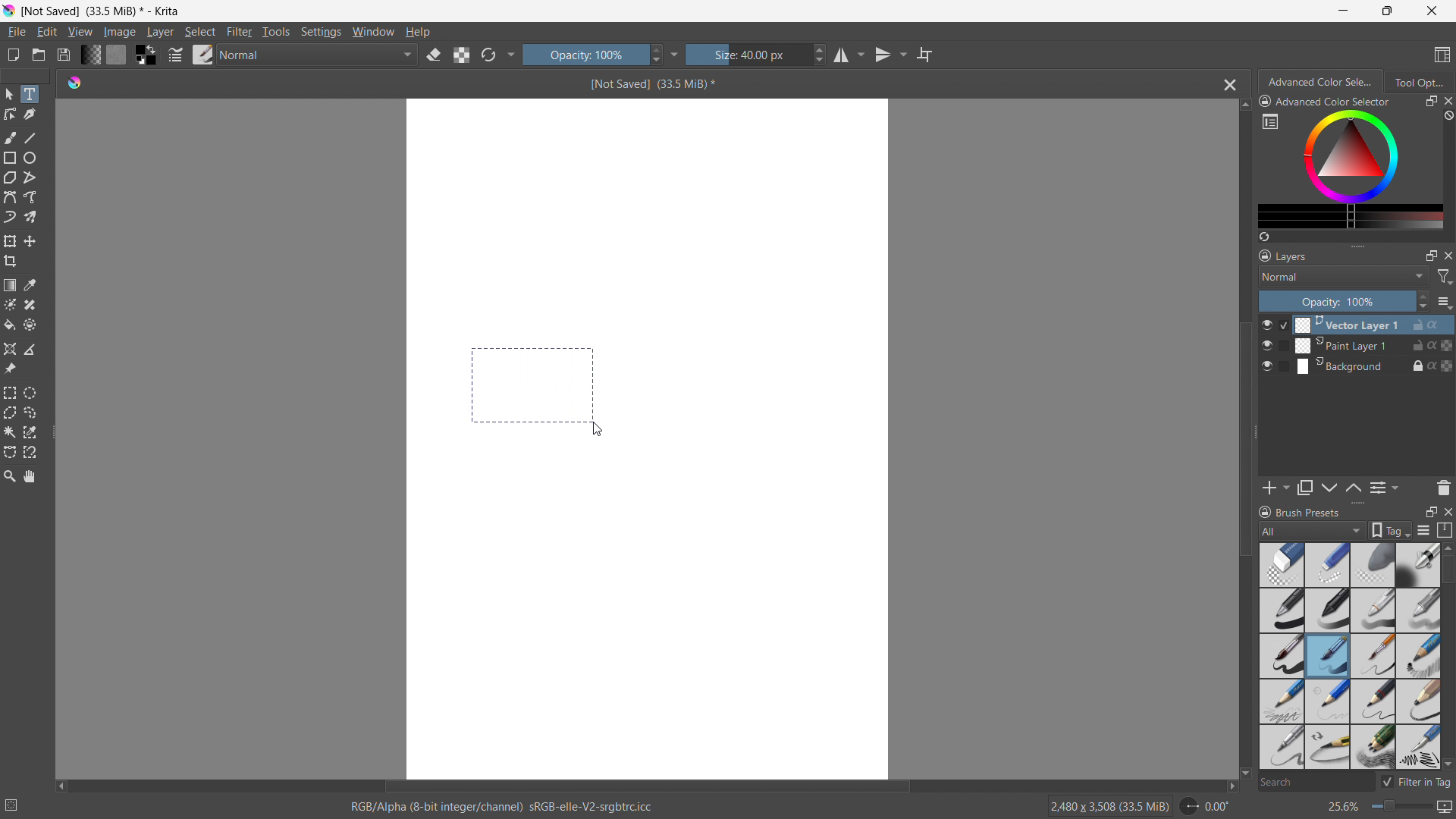 The width and height of the screenshot is (1456, 819). I want to click on Brush, so click(1328, 656).